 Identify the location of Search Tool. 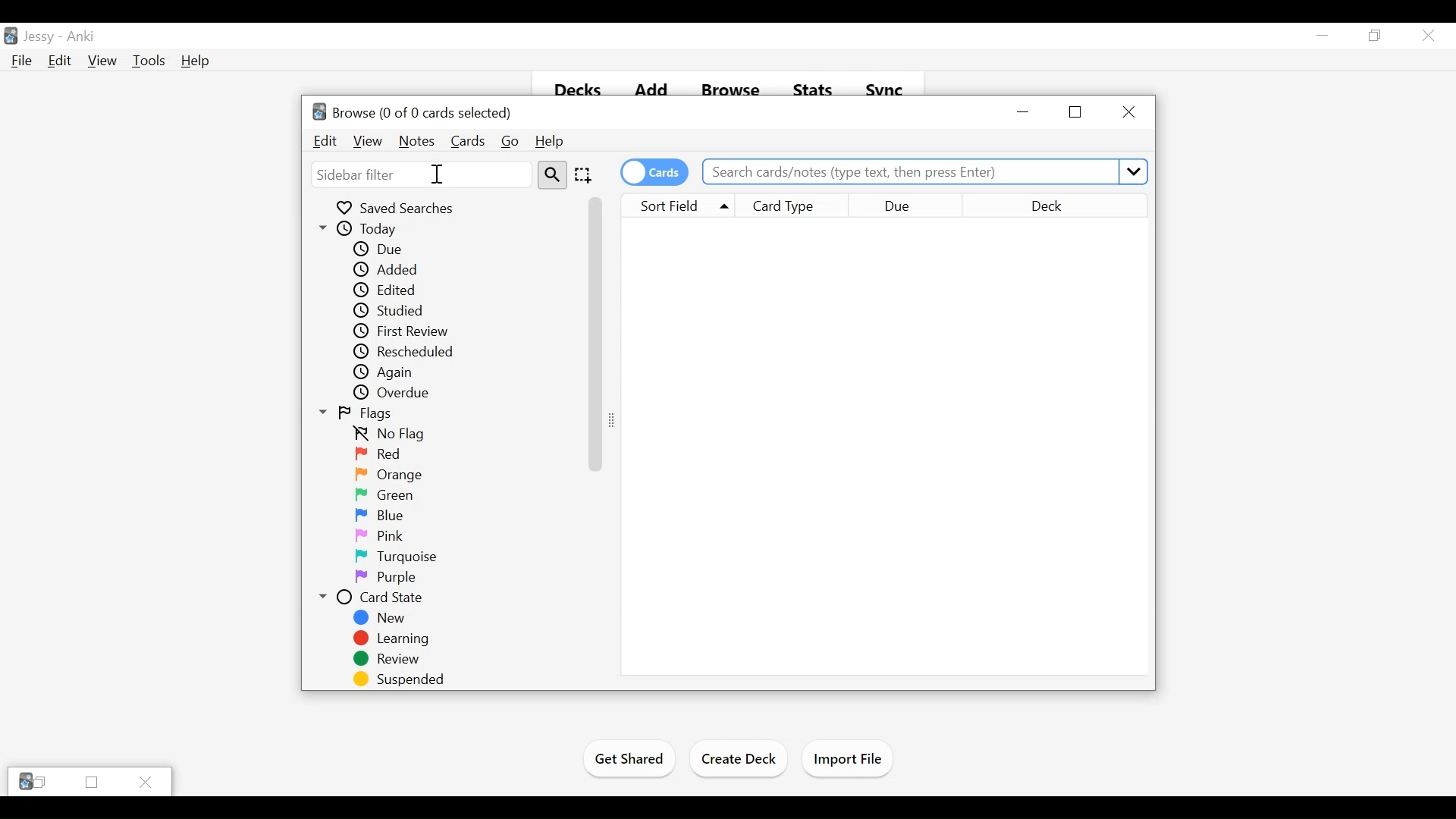
(553, 174).